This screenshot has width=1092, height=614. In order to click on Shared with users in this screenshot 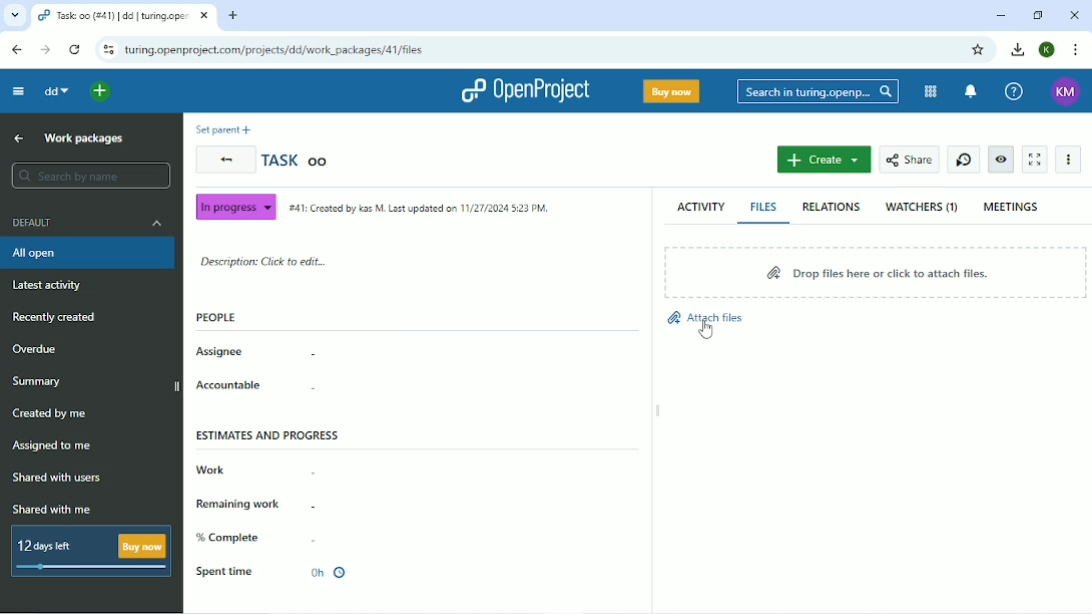, I will do `click(57, 478)`.